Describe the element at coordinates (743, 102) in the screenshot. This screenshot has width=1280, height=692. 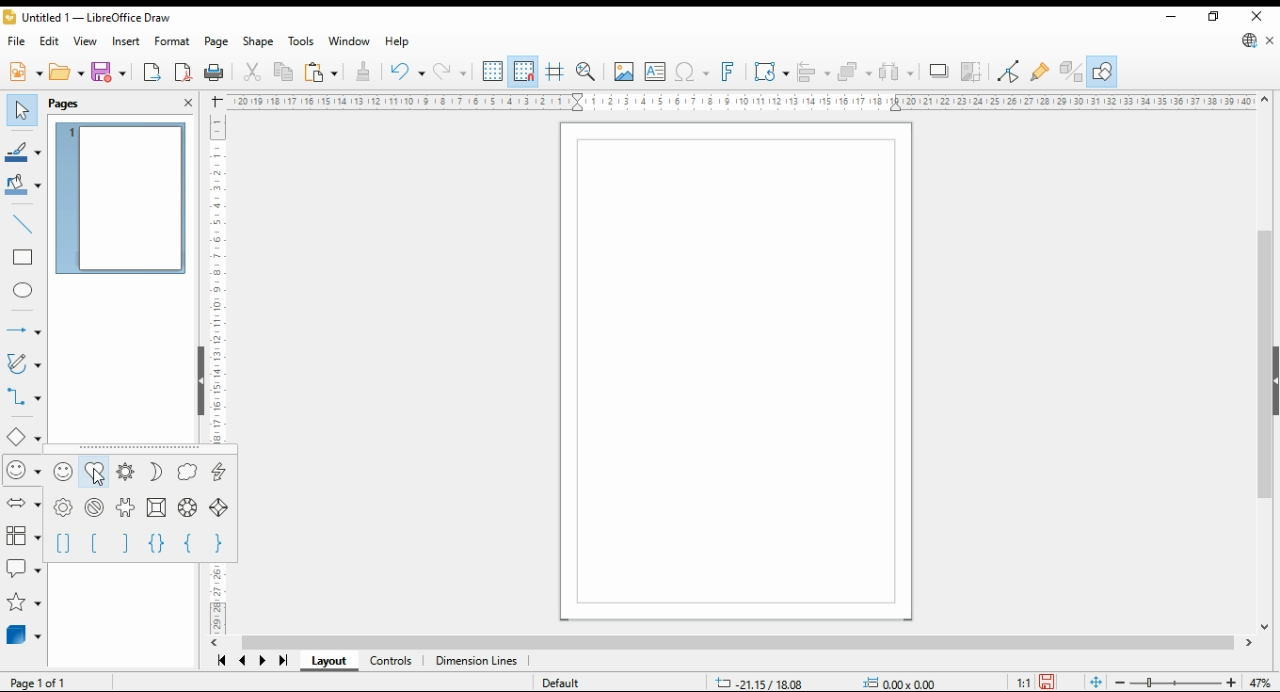
I see `Ruler` at that location.